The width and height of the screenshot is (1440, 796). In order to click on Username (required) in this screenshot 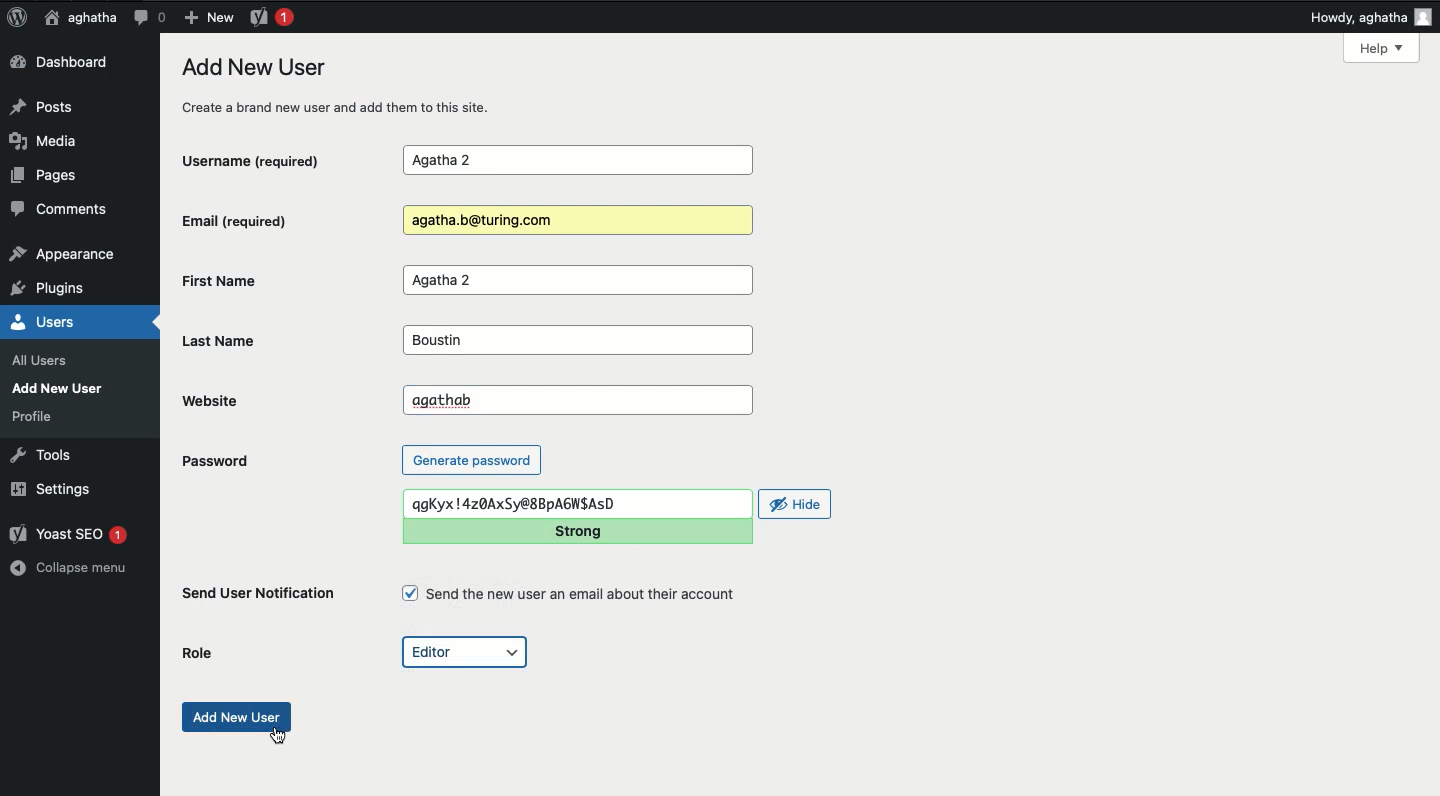, I will do `click(269, 159)`.